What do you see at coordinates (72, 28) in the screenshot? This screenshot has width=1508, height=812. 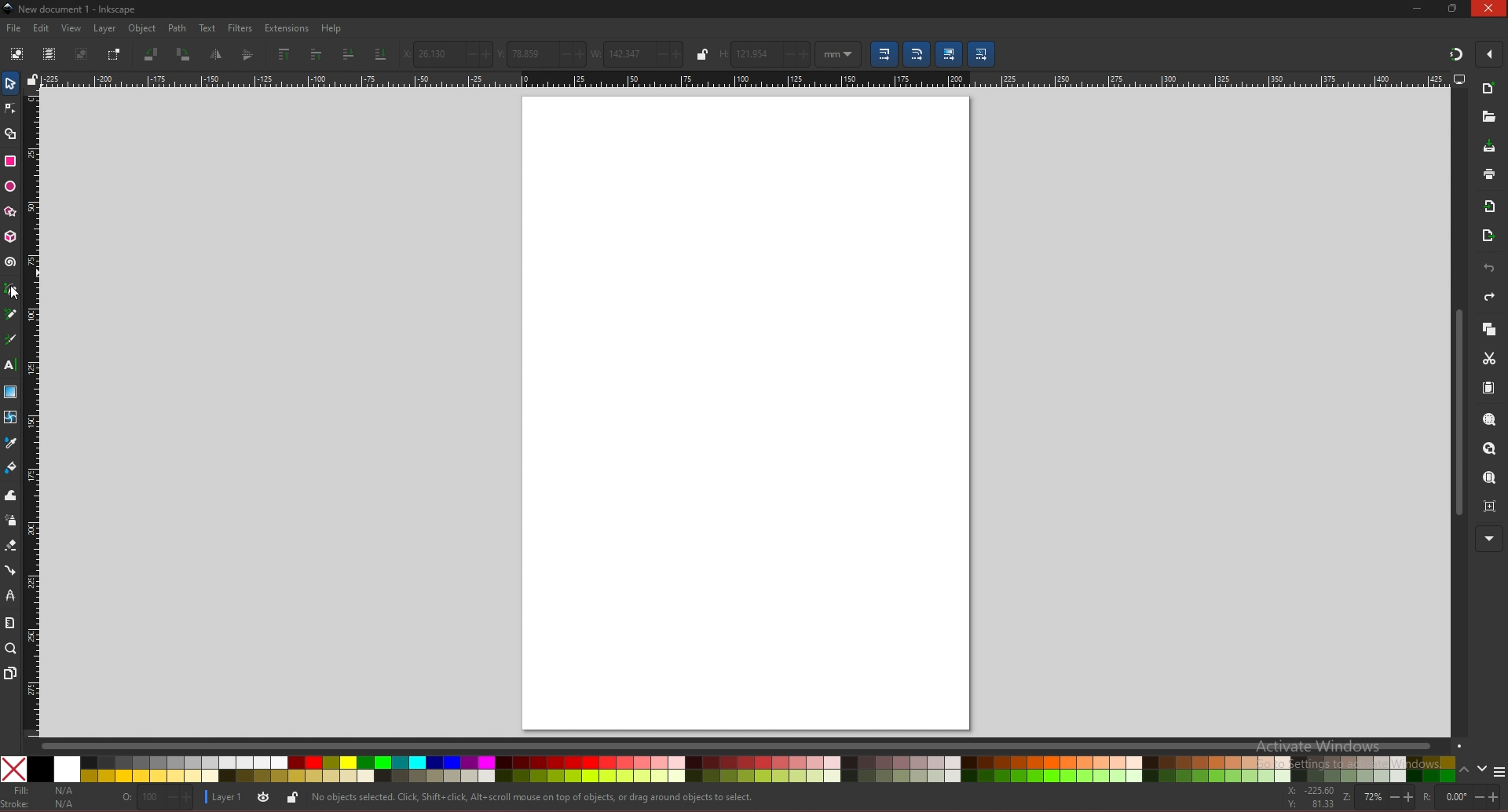 I see `view` at bounding box center [72, 28].